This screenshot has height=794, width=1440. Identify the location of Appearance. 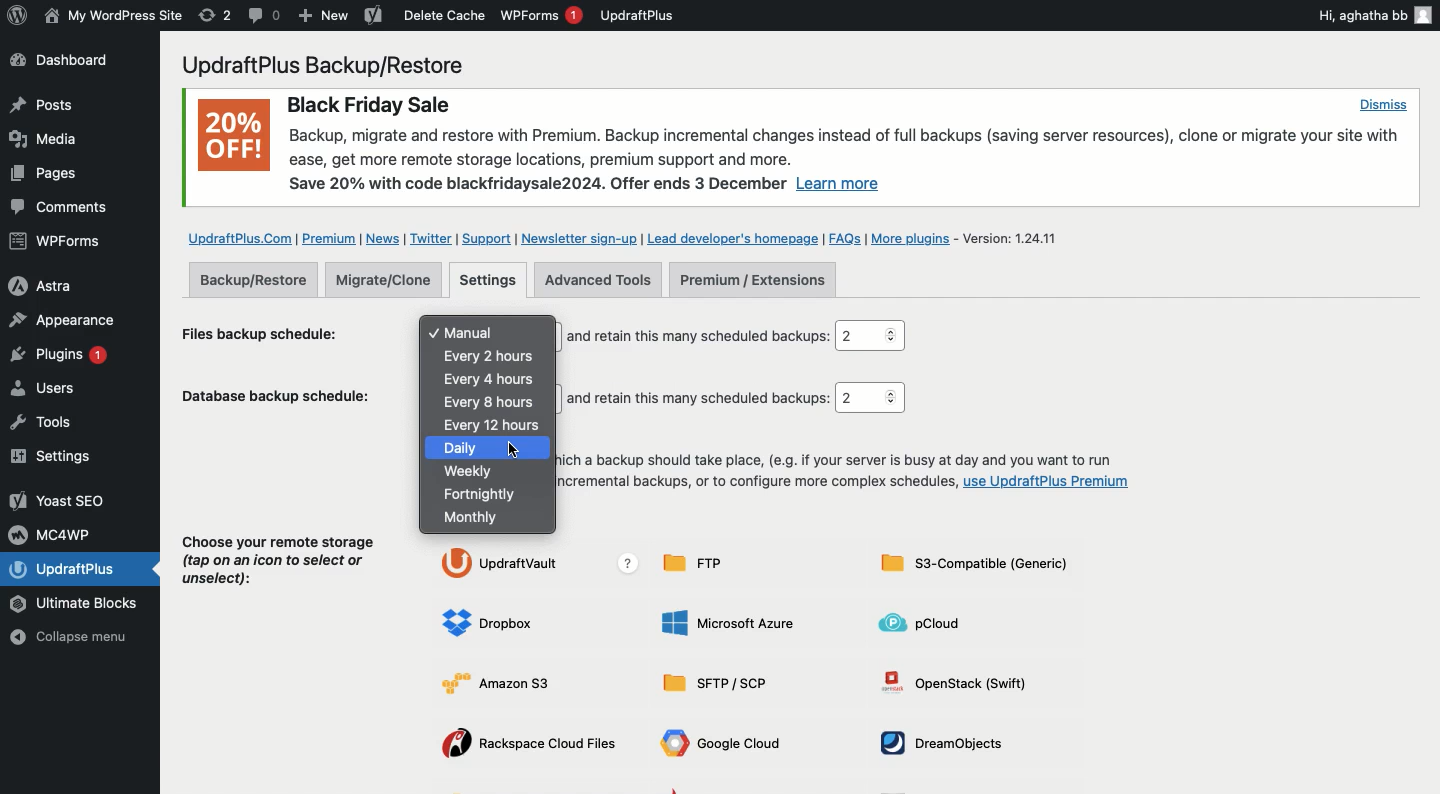
(62, 319).